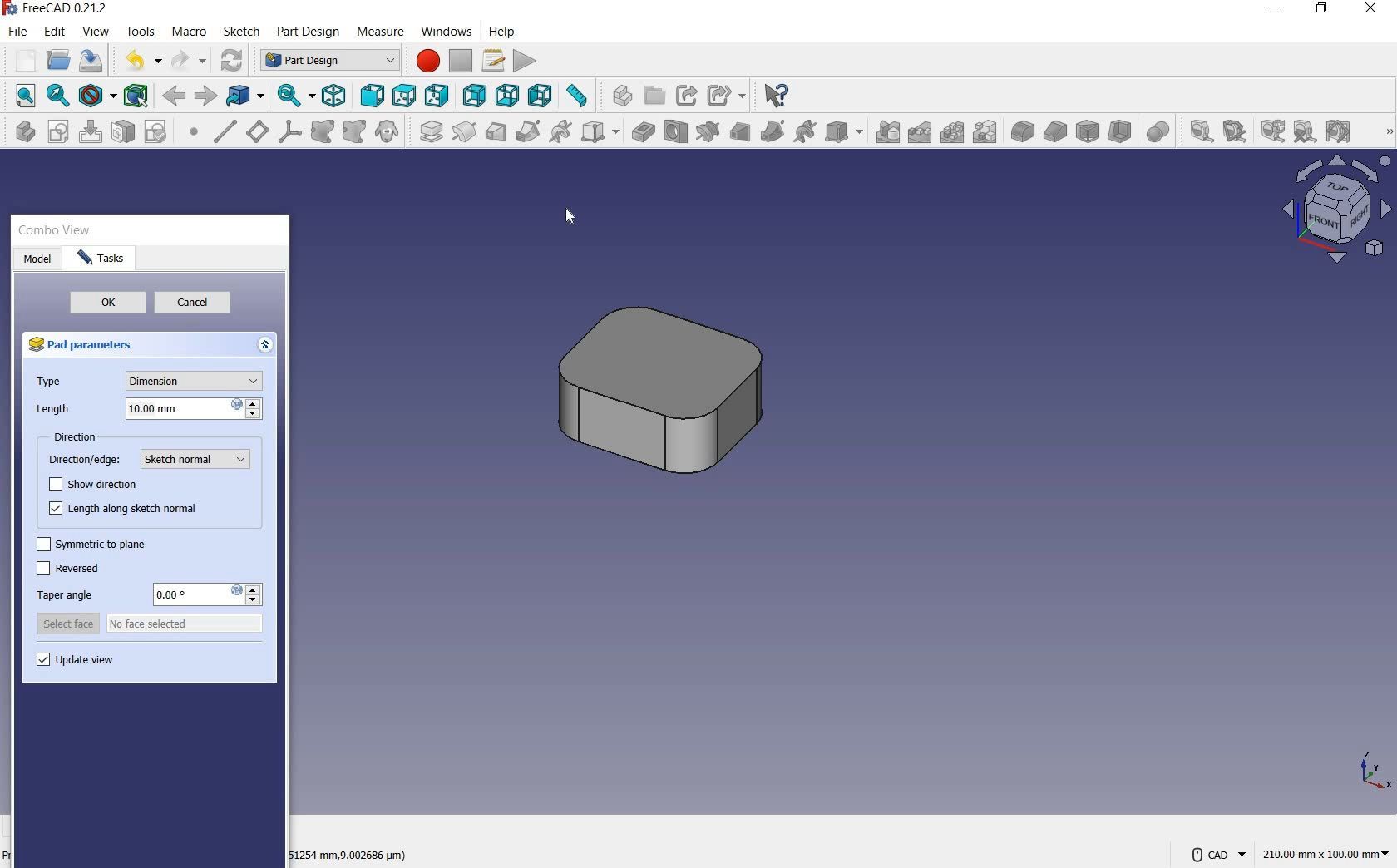 Image resolution: width=1397 pixels, height=868 pixels. What do you see at coordinates (379, 29) in the screenshot?
I see `Measure` at bounding box center [379, 29].